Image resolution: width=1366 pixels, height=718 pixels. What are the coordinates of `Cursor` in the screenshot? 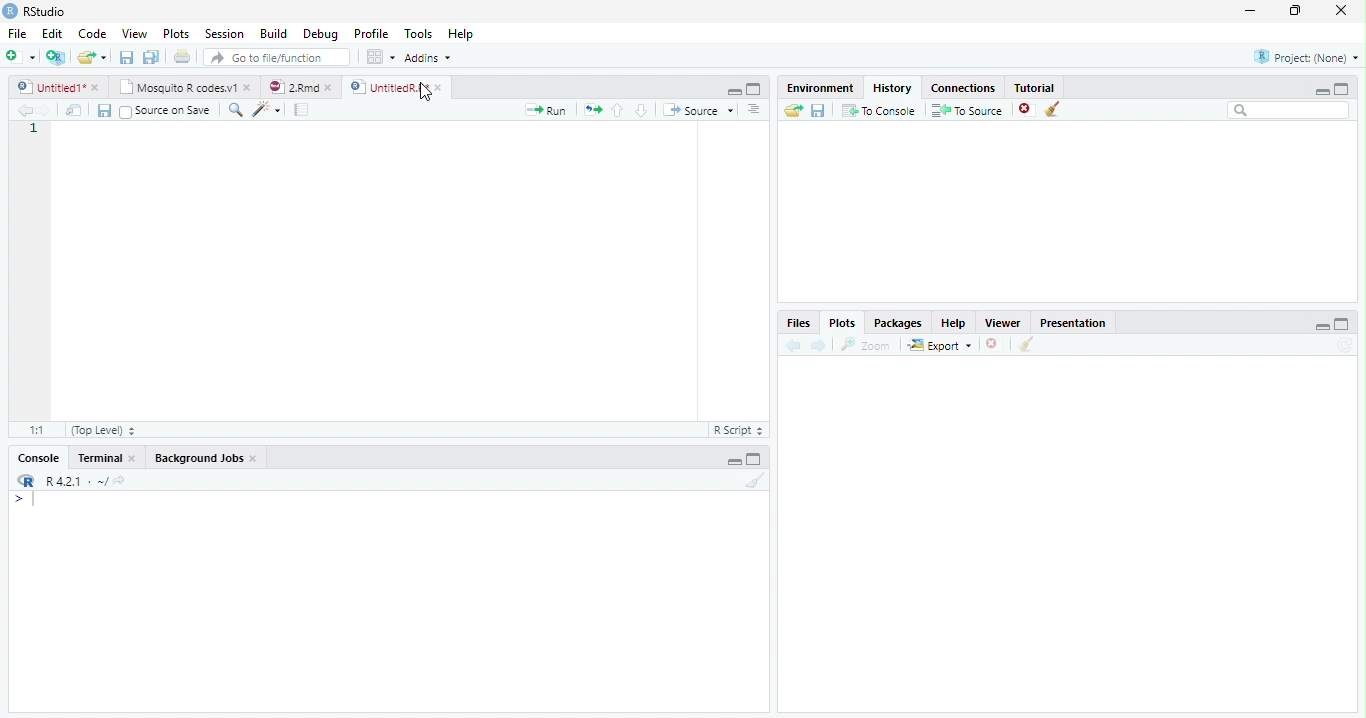 It's located at (38, 501).